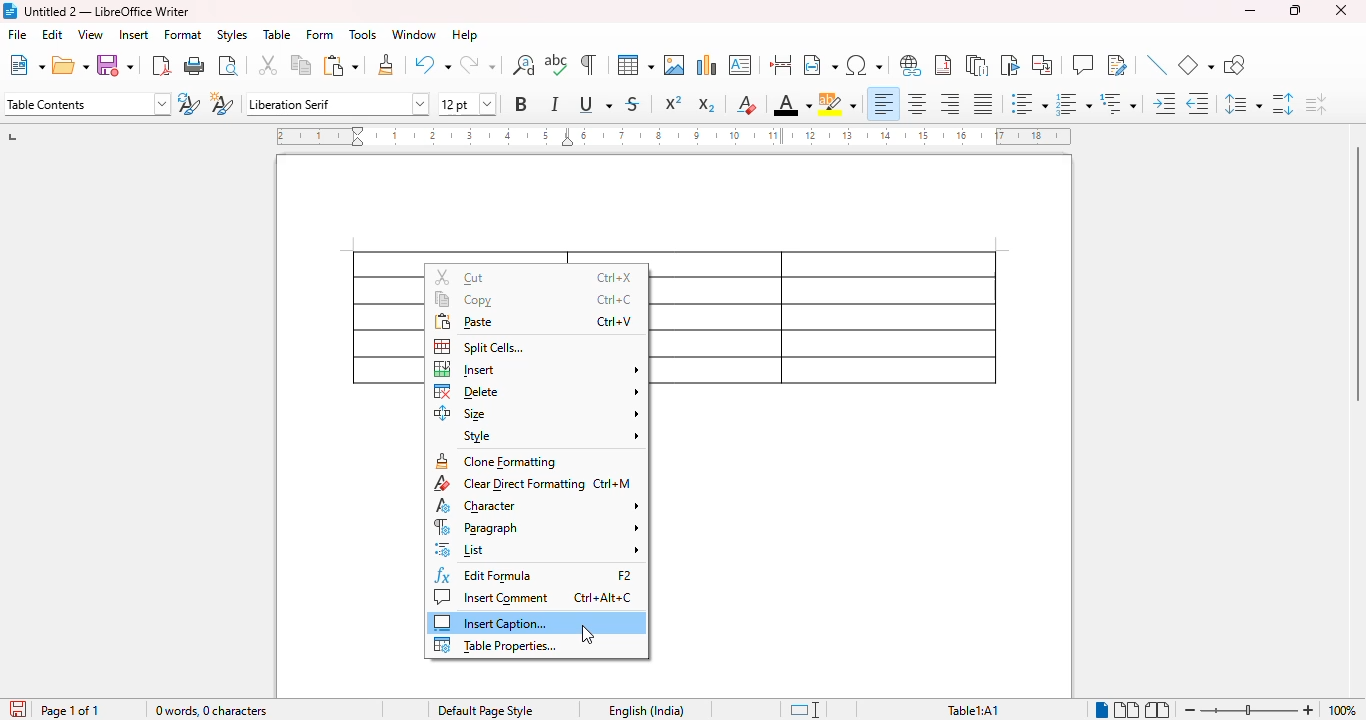 The width and height of the screenshot is (1366, 720). What do you see at coordinates (1310, 710) in the screenshot?
I see `zoom in` at bounding box center [1310, 710].